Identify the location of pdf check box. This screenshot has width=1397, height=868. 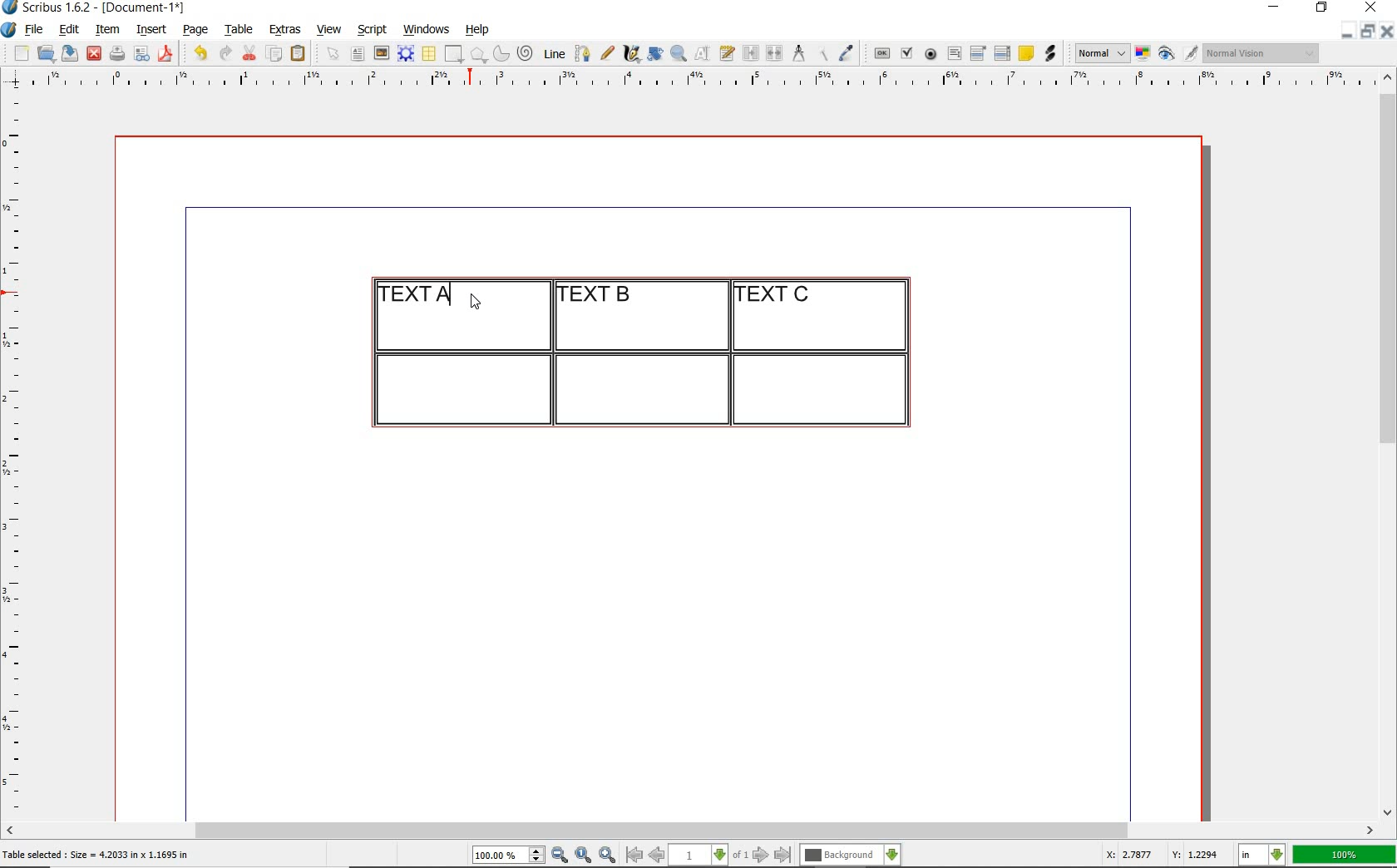
(906, 54).